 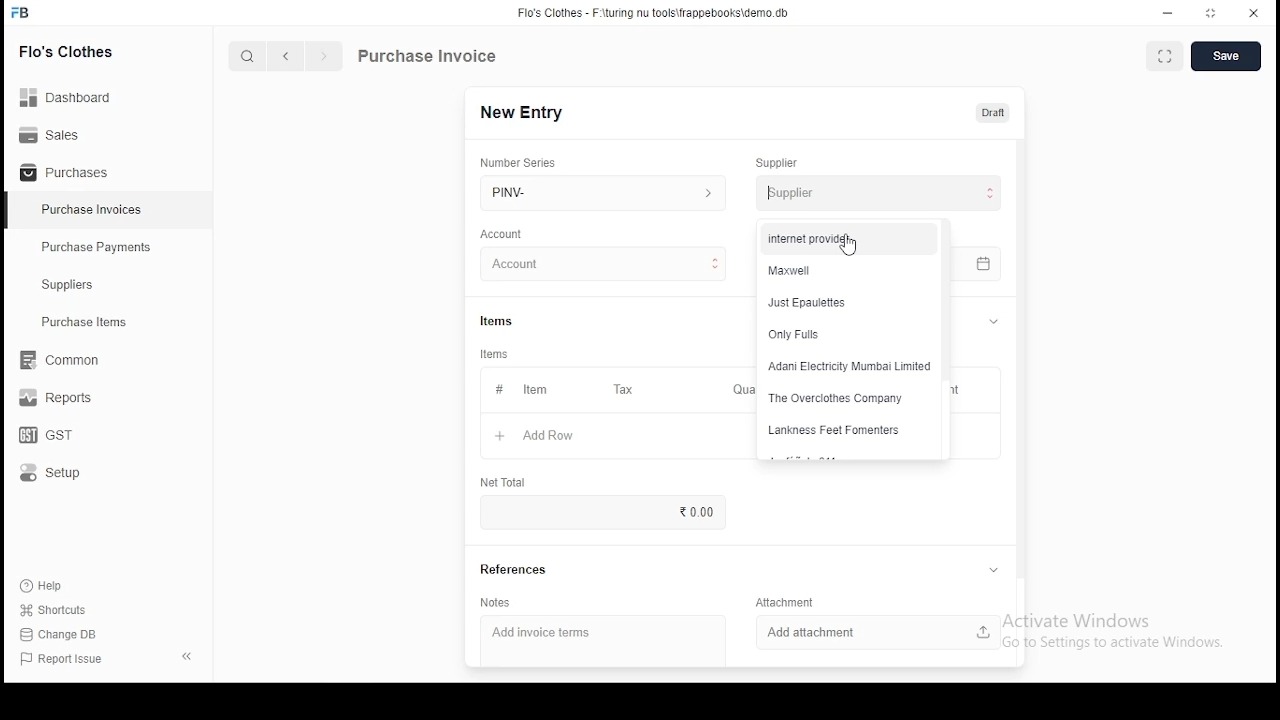 What do you see at coordinates (499, 437) in the screenshot?
I see `+` at bounding box center [499, 437].